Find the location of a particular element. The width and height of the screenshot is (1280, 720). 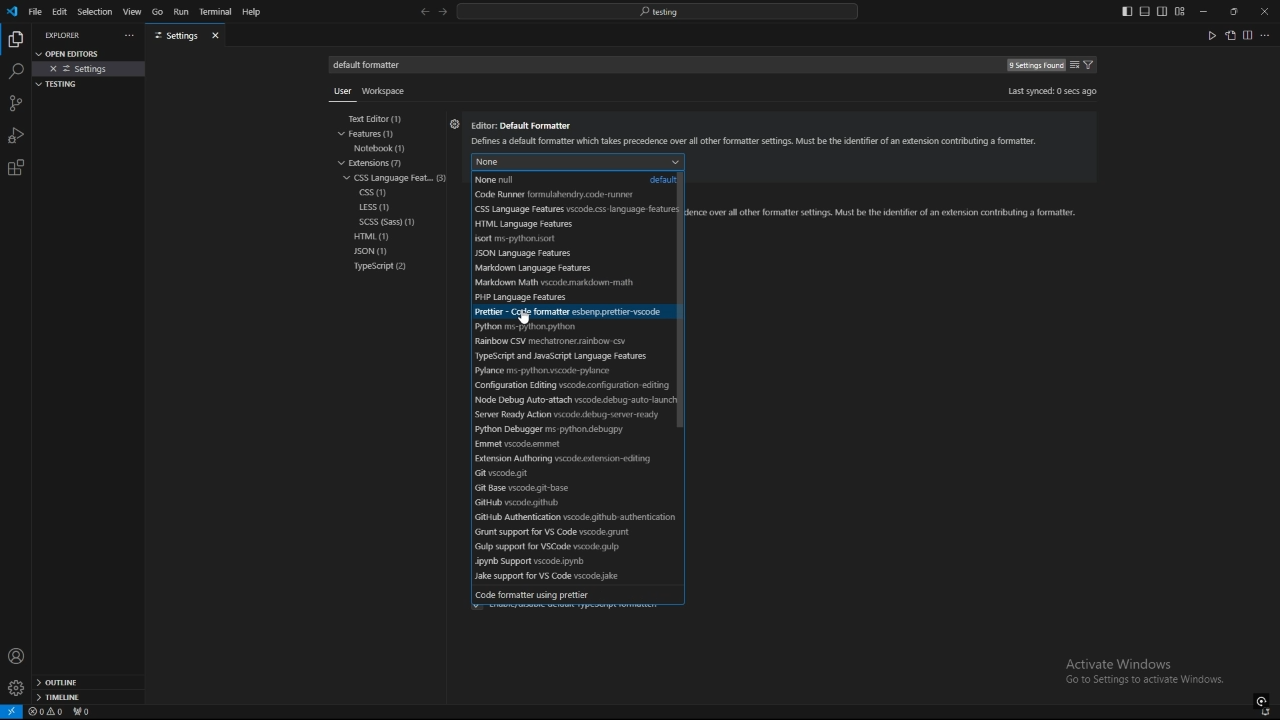

json is located at coordinates (383, 252).